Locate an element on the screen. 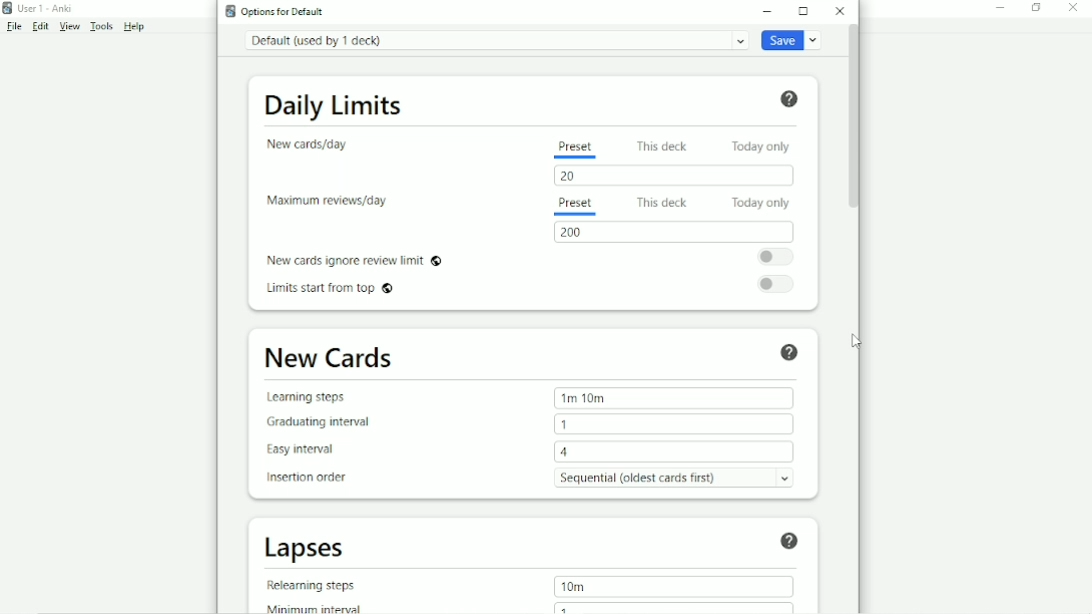  Options for default is located at coordinates (282, 11).